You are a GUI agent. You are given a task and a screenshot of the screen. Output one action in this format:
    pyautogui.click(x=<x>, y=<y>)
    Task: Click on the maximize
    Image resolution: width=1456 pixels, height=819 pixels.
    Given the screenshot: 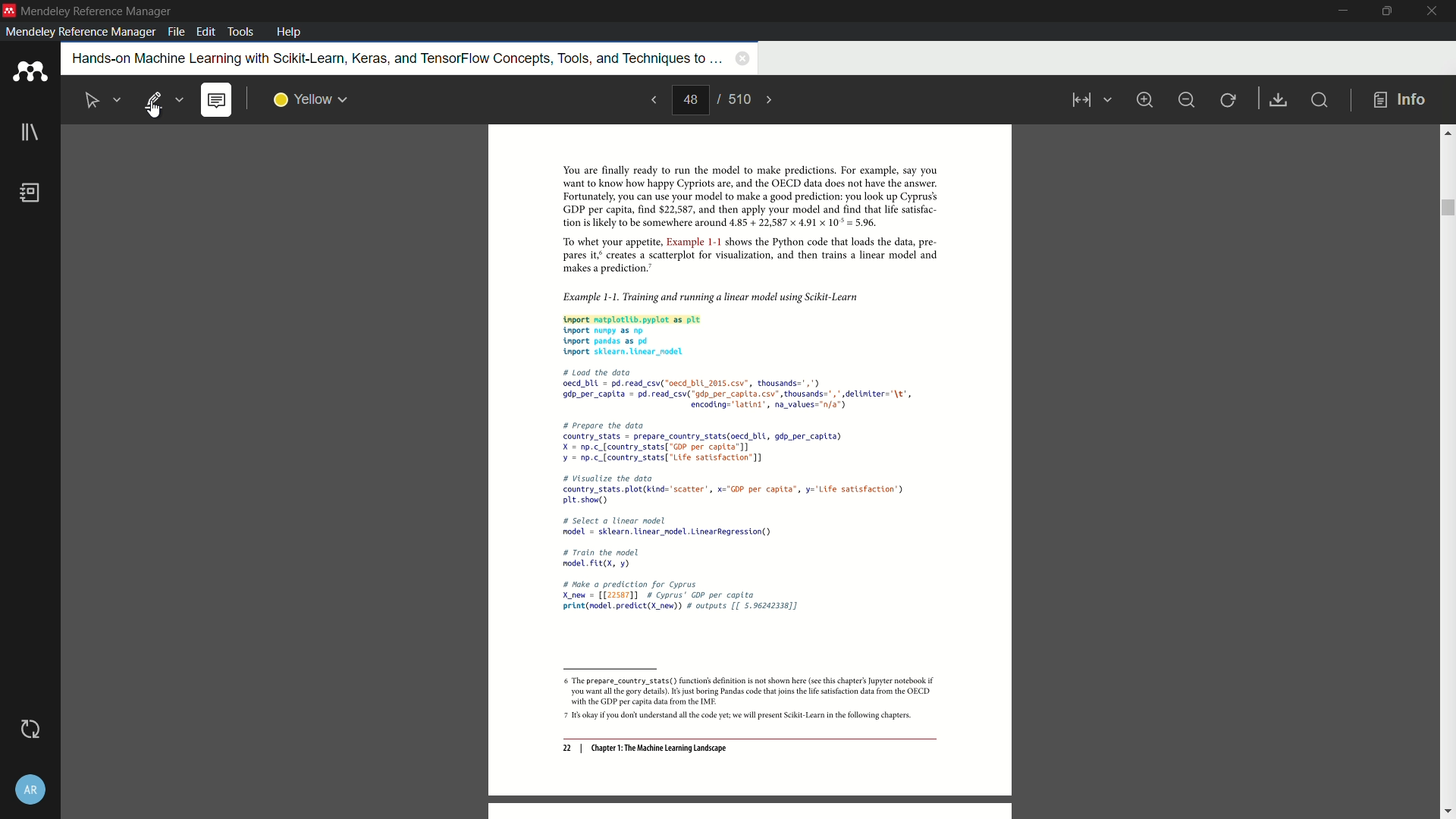 What is the action you would take?
    pyautogui.click(x=1384, y=11)
    